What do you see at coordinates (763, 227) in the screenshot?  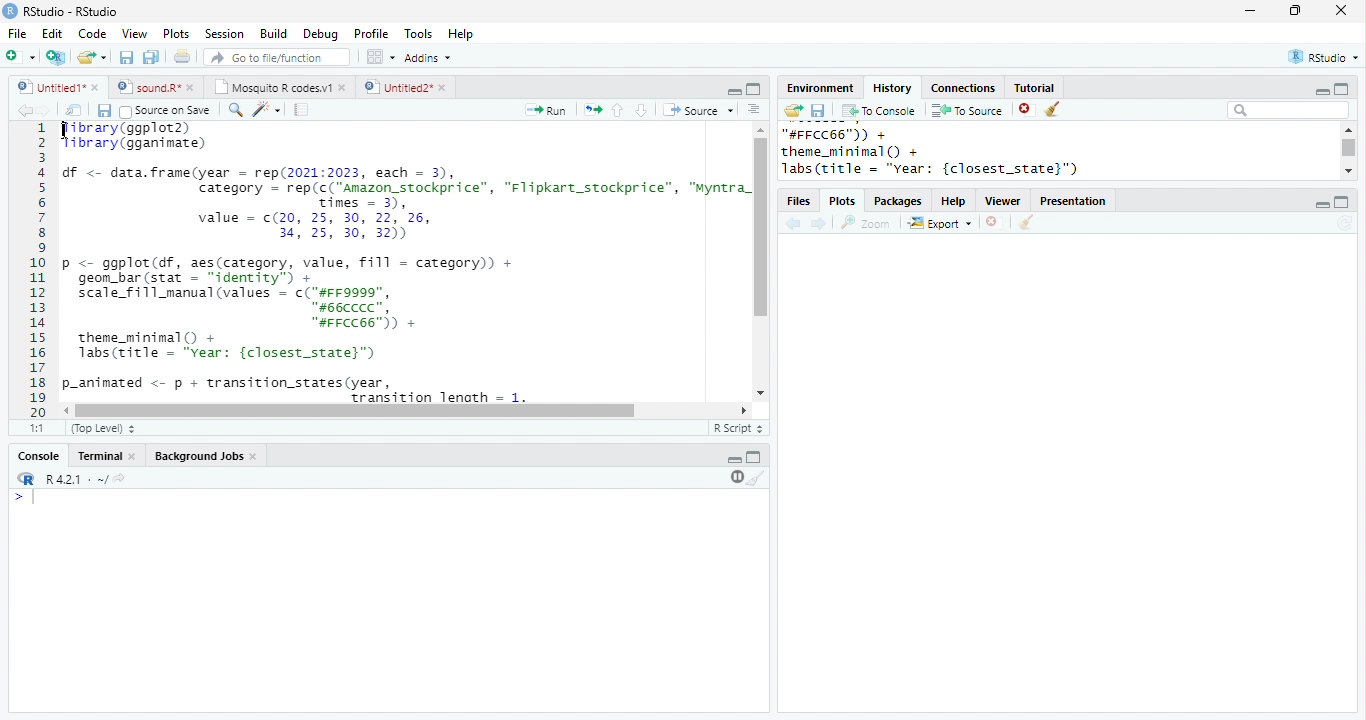 I see `scroll bar` at bounding box center [763, 227].